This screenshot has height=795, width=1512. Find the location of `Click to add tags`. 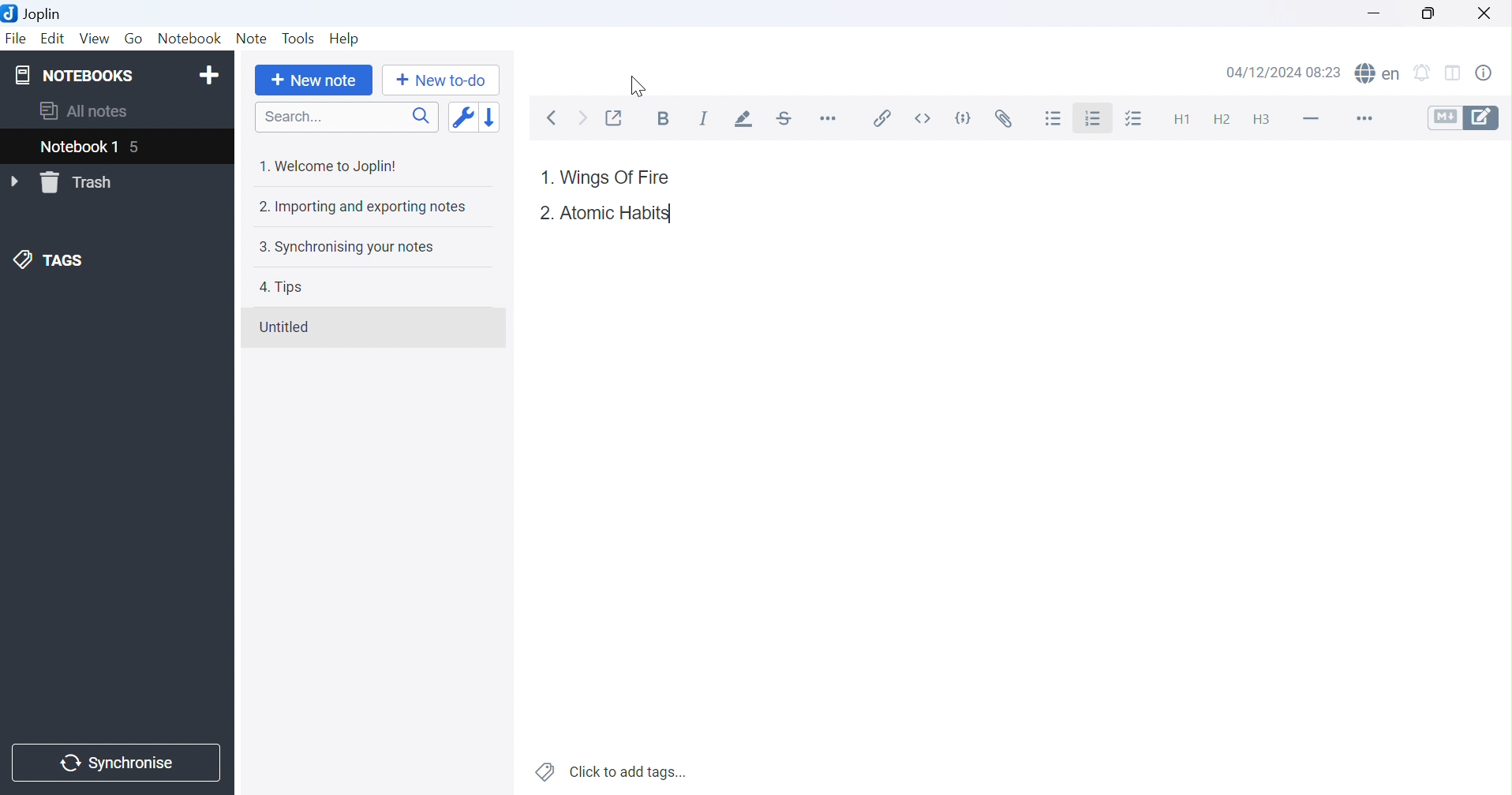

Click to add tags is located at coordinates (612, 772).